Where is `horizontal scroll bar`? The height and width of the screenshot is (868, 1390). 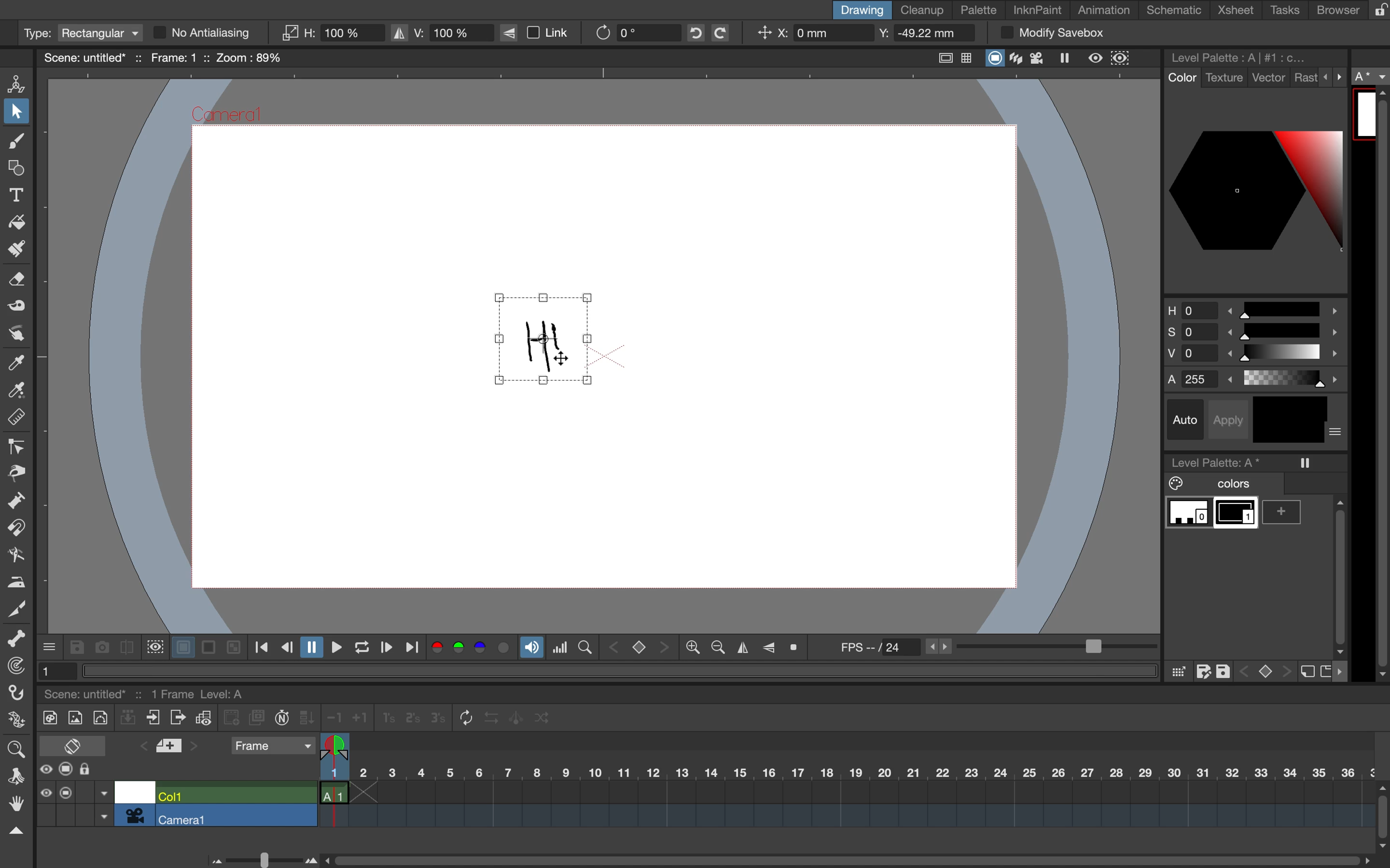
horizontal scroll bar is located at coordinates (842, 855).